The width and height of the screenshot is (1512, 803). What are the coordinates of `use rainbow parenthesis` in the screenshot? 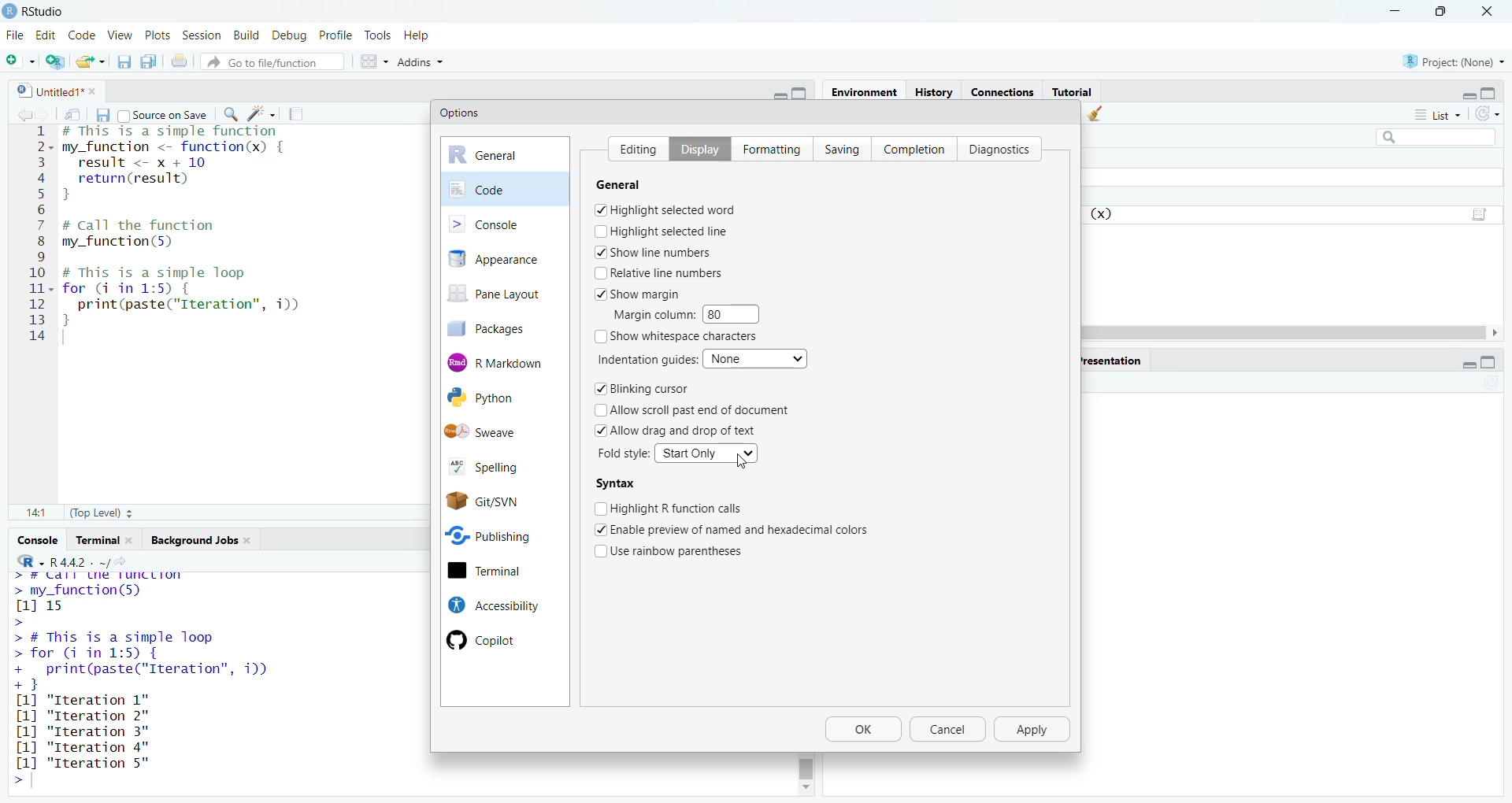 It's located at (680, 550).